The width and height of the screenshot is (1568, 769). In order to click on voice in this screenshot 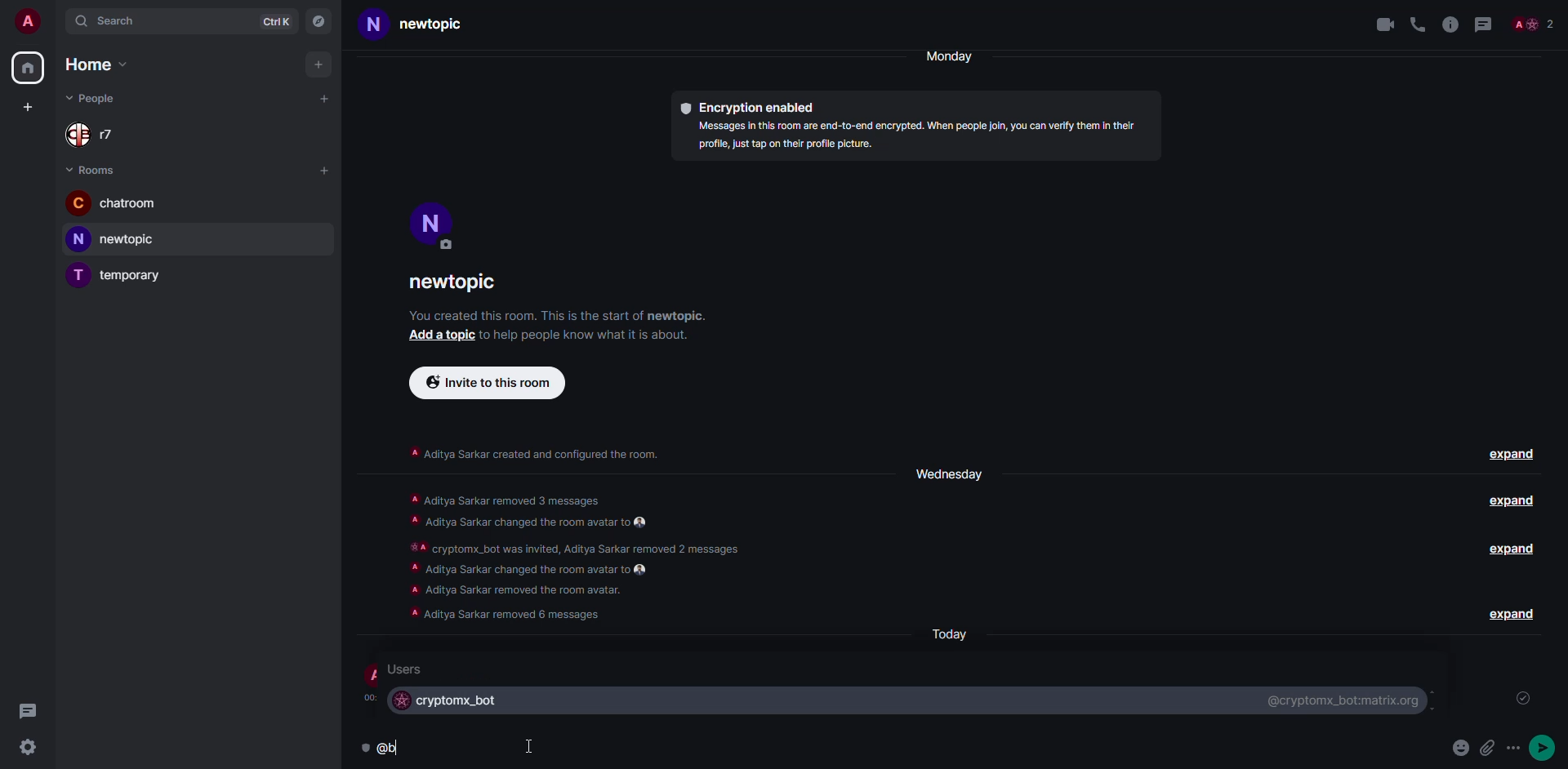, I will do `click(1414, 22)`.